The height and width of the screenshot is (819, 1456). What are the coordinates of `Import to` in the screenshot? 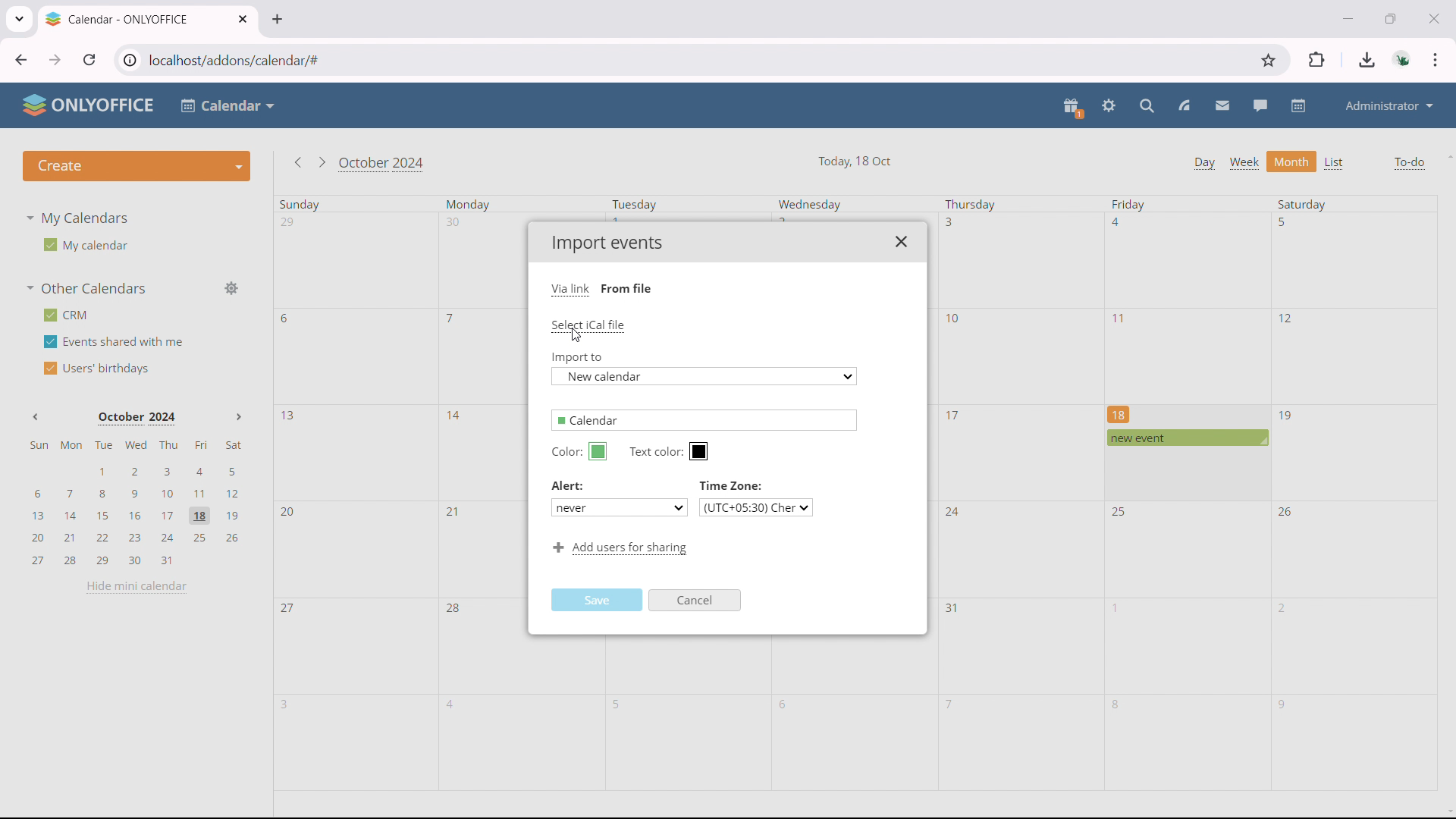 It's located at (579, 357).